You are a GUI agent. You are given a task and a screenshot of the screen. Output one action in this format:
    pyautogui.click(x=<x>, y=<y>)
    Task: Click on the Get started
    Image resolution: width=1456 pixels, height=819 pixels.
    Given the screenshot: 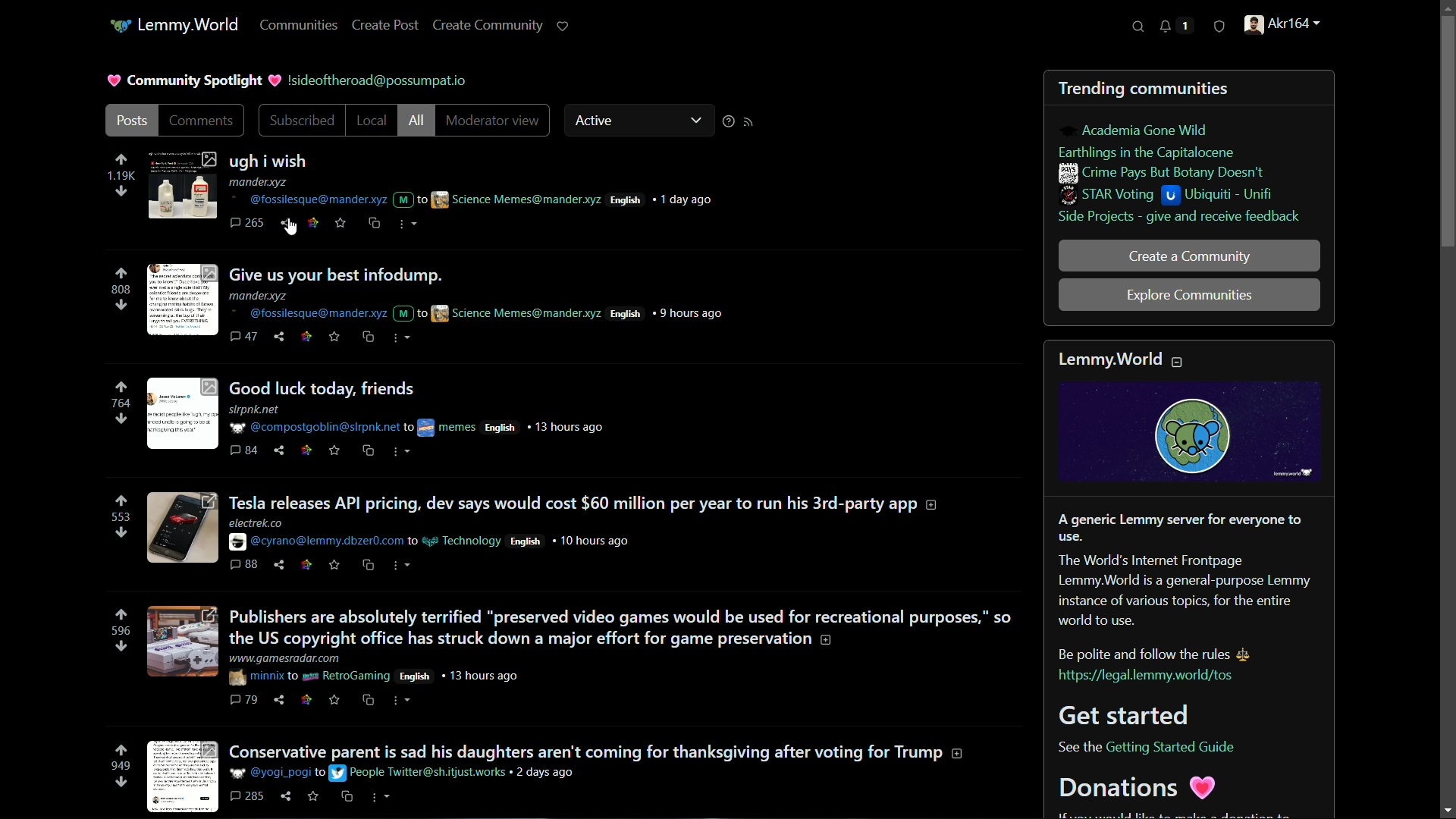 What is the action you would take?
    pyautogui.click(x=1130, y=714)
    